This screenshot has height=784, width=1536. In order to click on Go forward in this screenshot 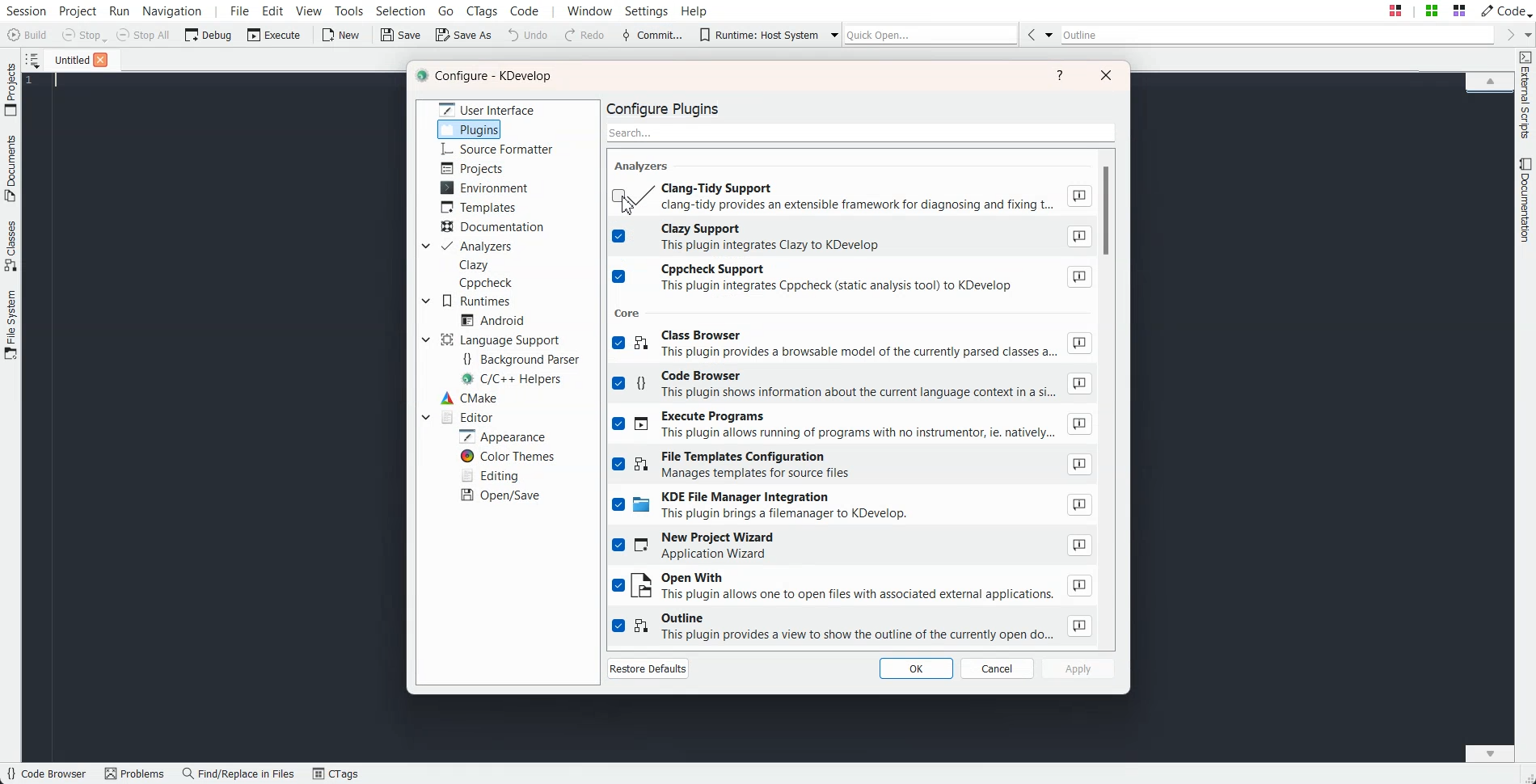, I will do `click(1508, 35)`.